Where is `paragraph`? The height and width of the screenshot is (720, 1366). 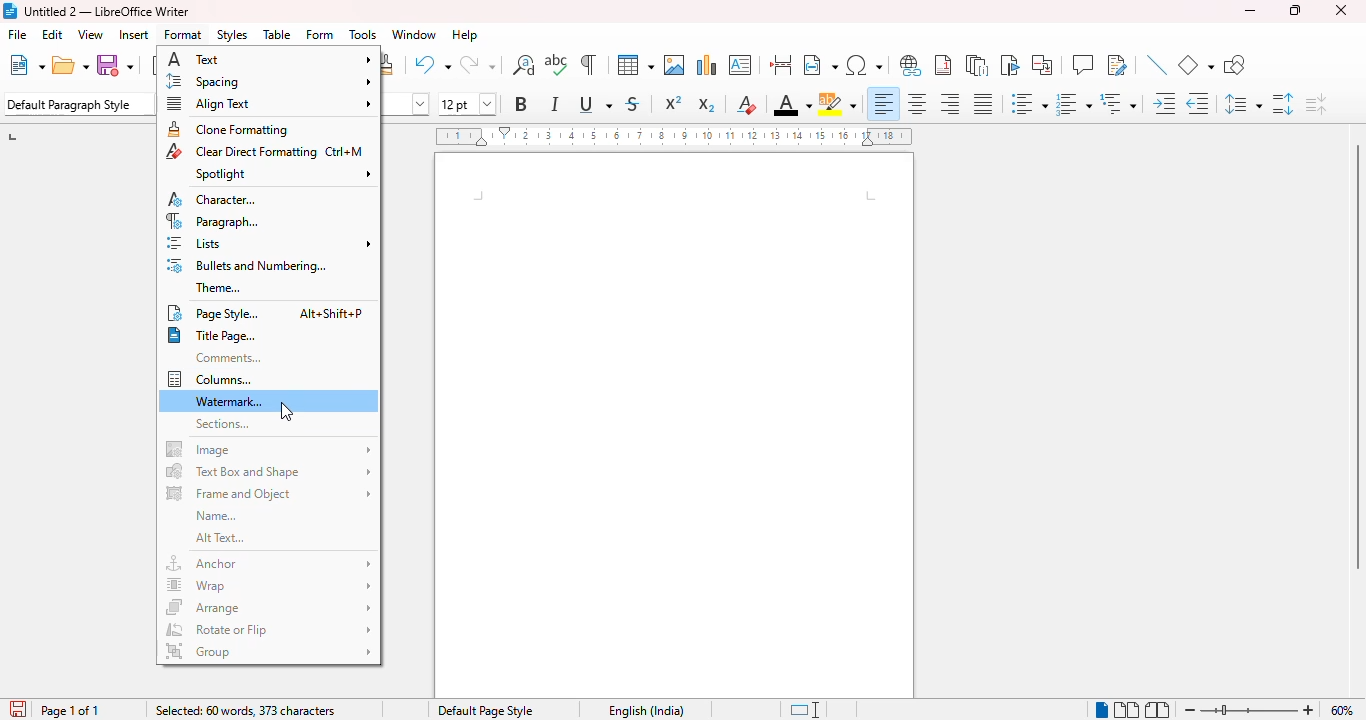 paragraph is located at coordinates (214, 221).